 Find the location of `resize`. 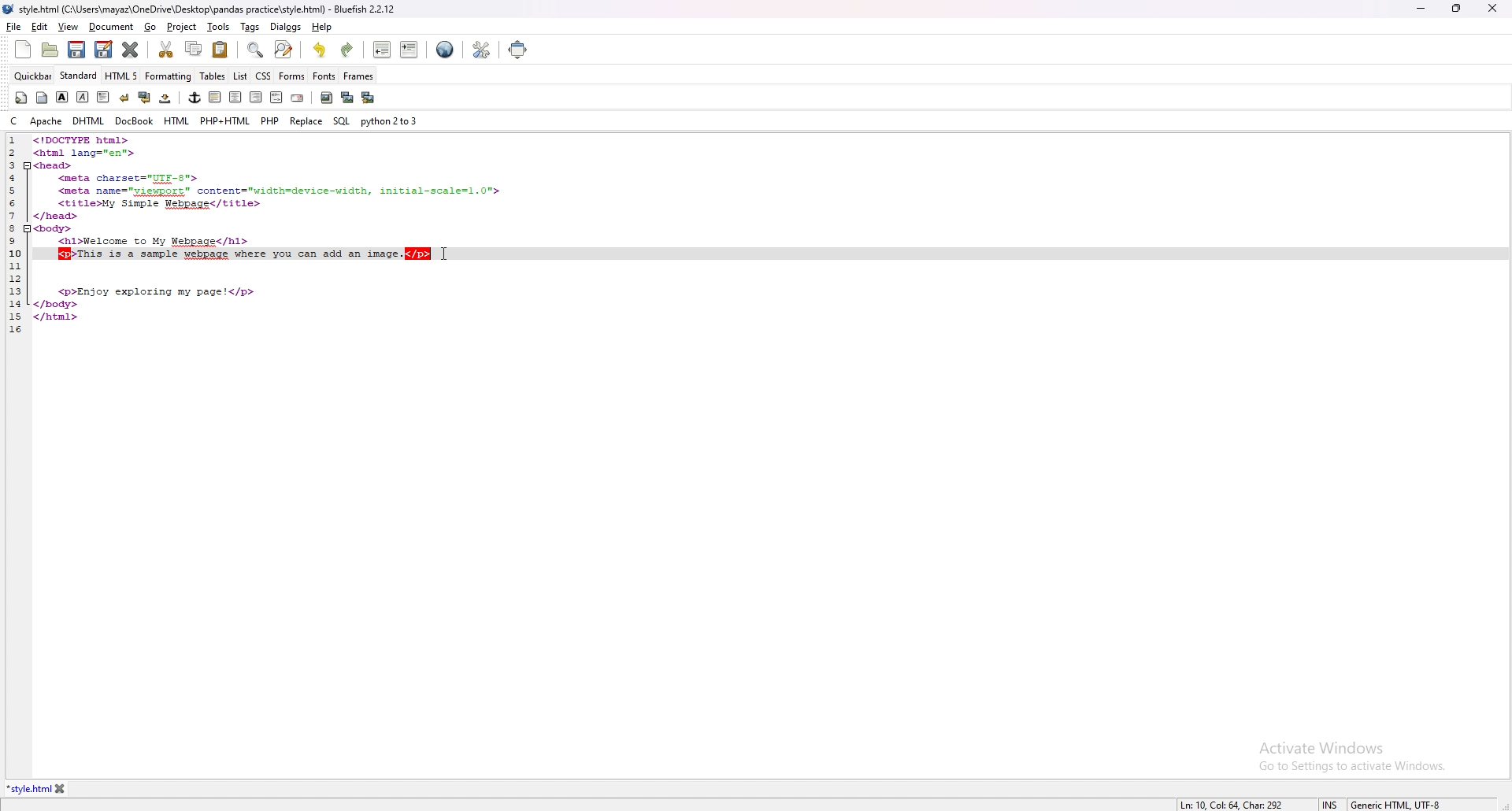

resize is located at coordinates (1456, 9).